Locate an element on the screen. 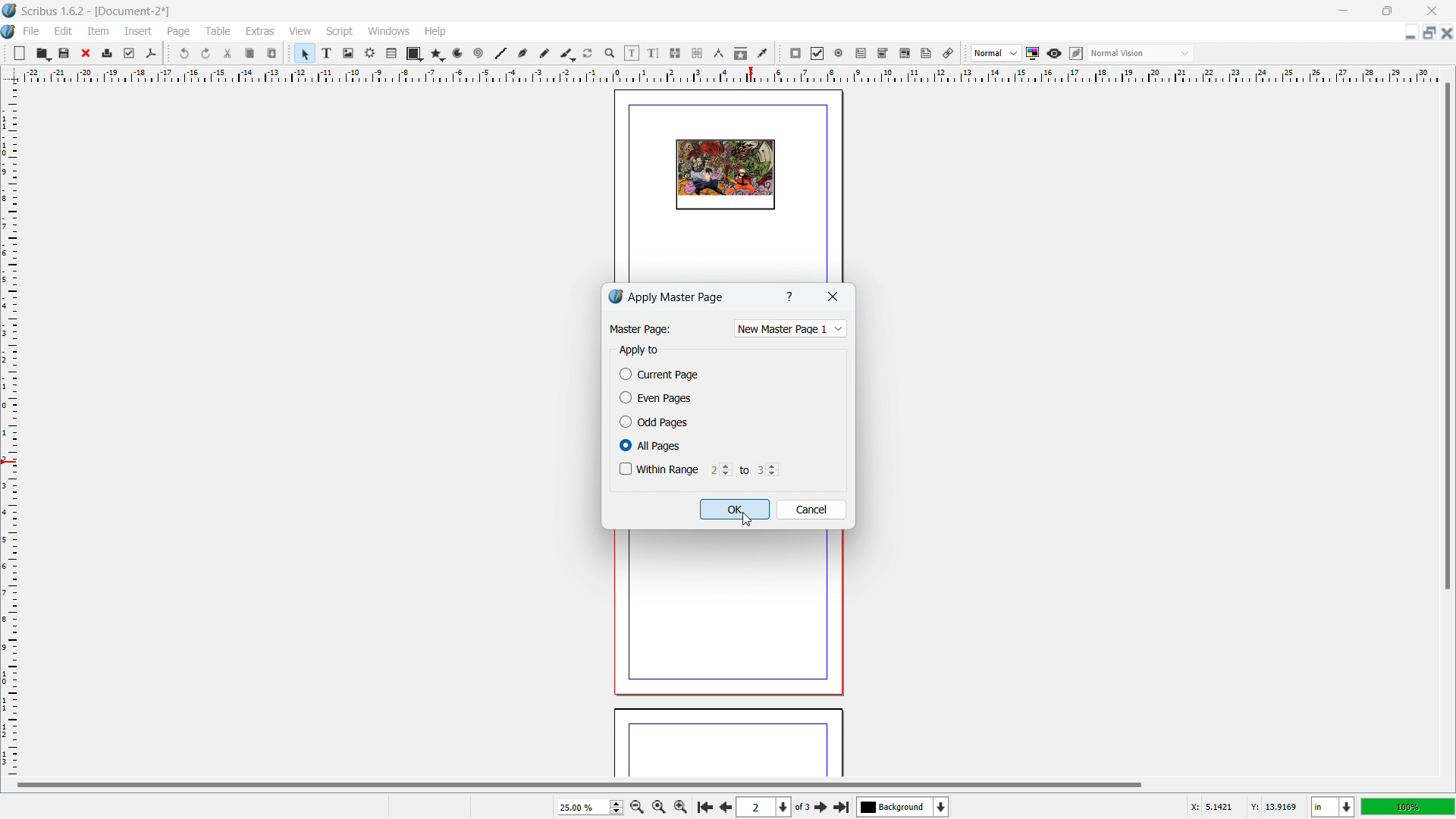  logo is located at coordinates (9, 33).